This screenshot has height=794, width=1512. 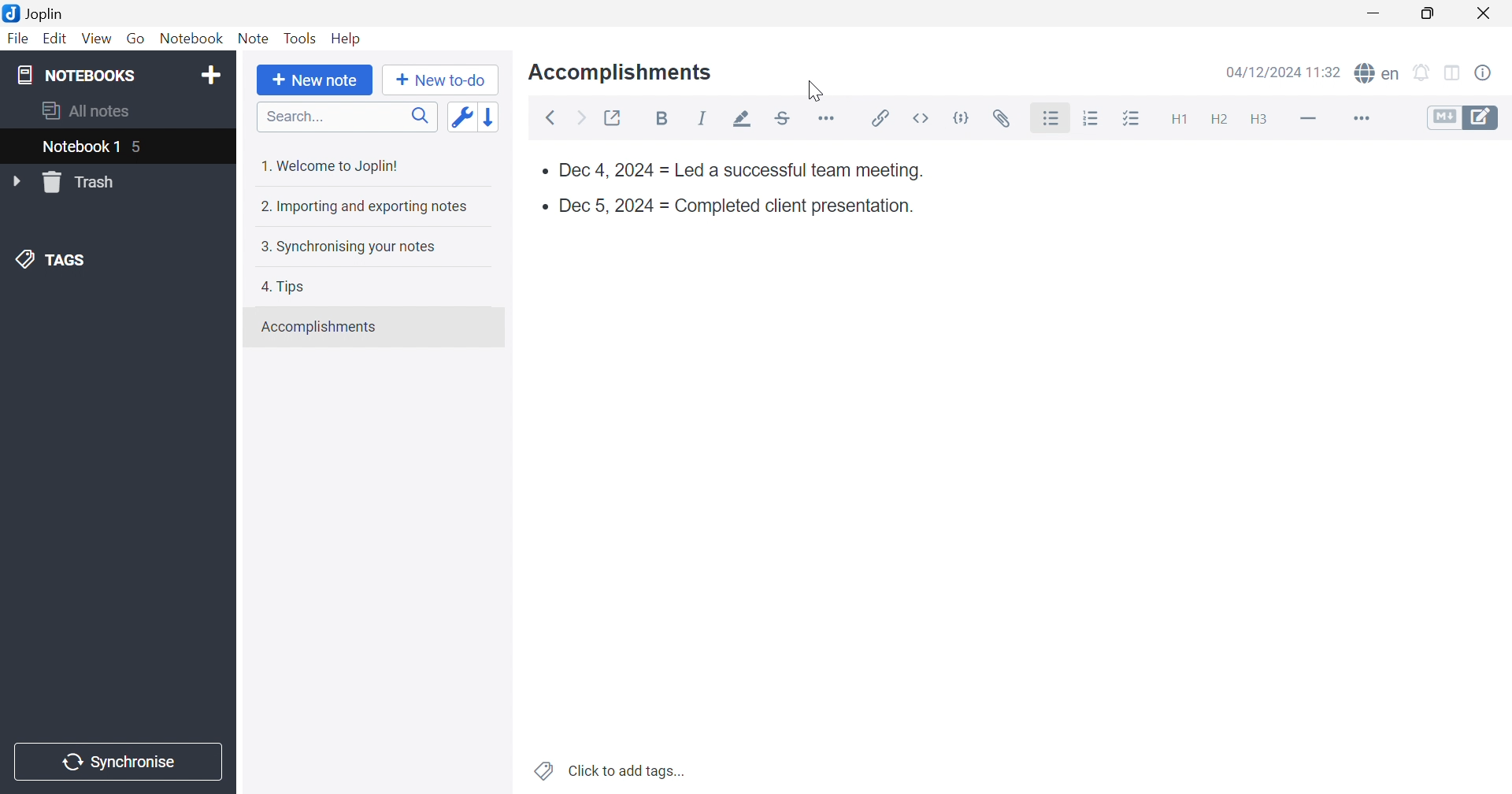 I want to click on Italic, so click(x=706, y=118).